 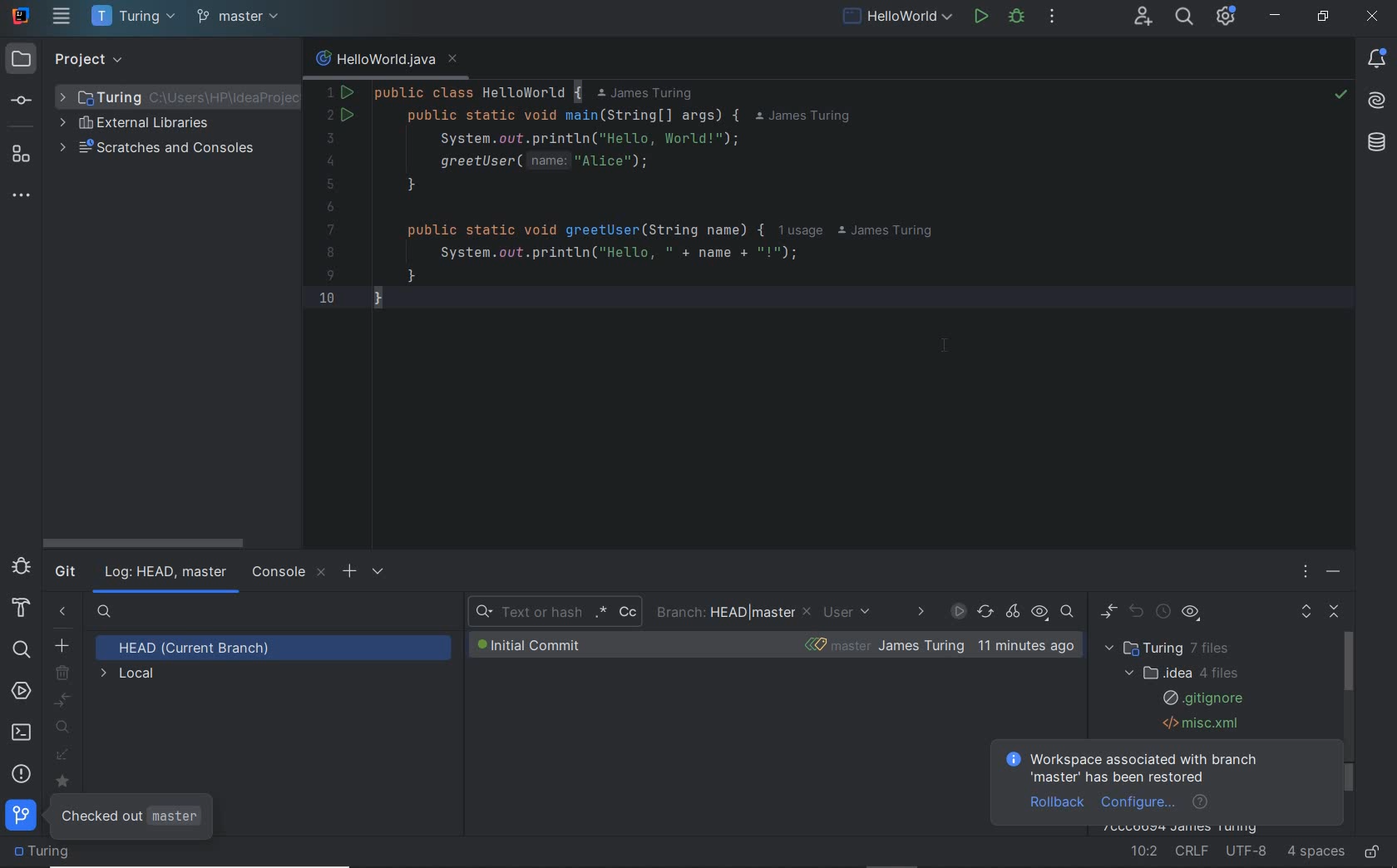 I want to click on close, so click(x=1372, y=17).